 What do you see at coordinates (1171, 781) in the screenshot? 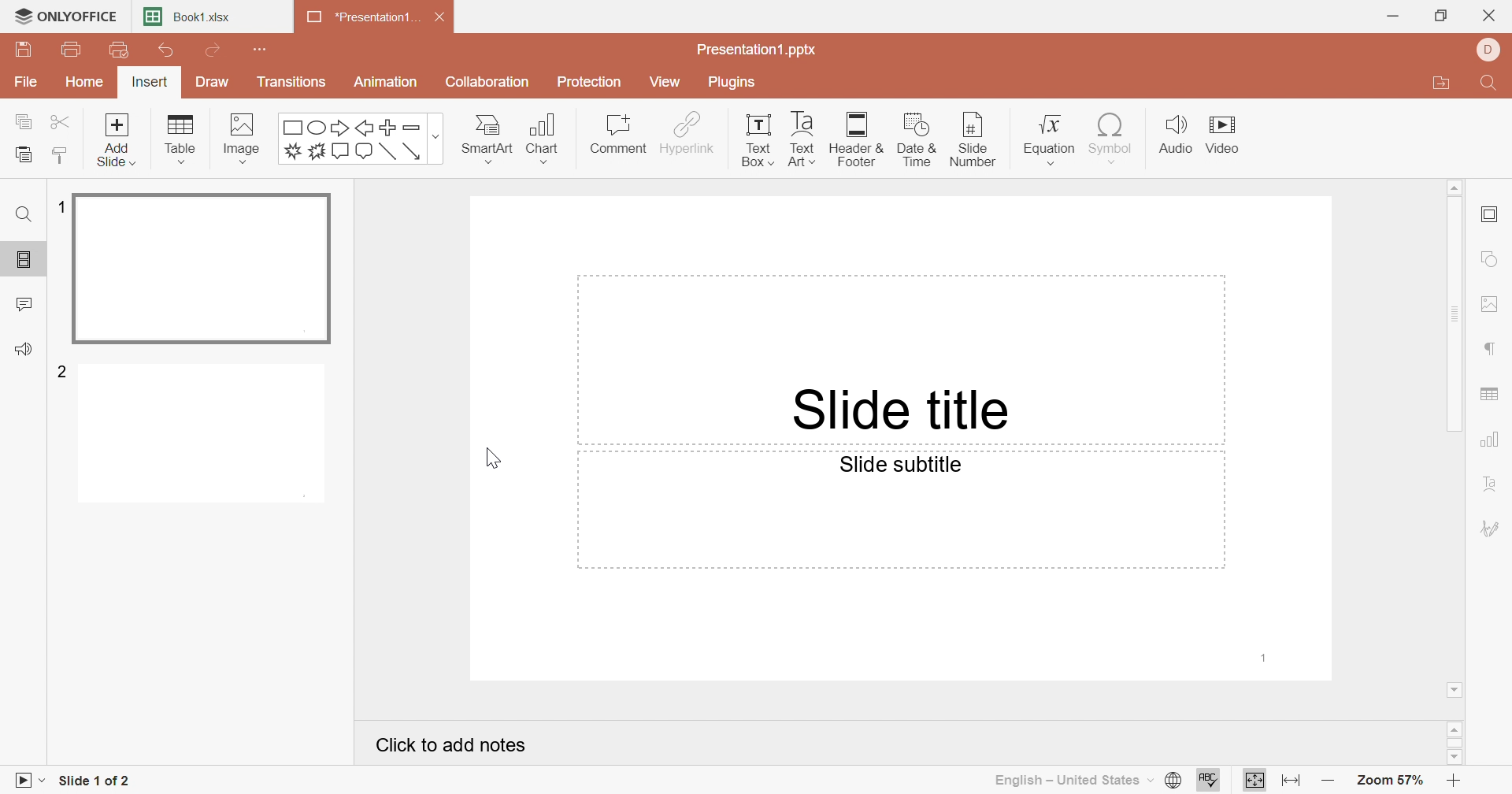
I see `Set document language` at bounding box center [1171, 781].